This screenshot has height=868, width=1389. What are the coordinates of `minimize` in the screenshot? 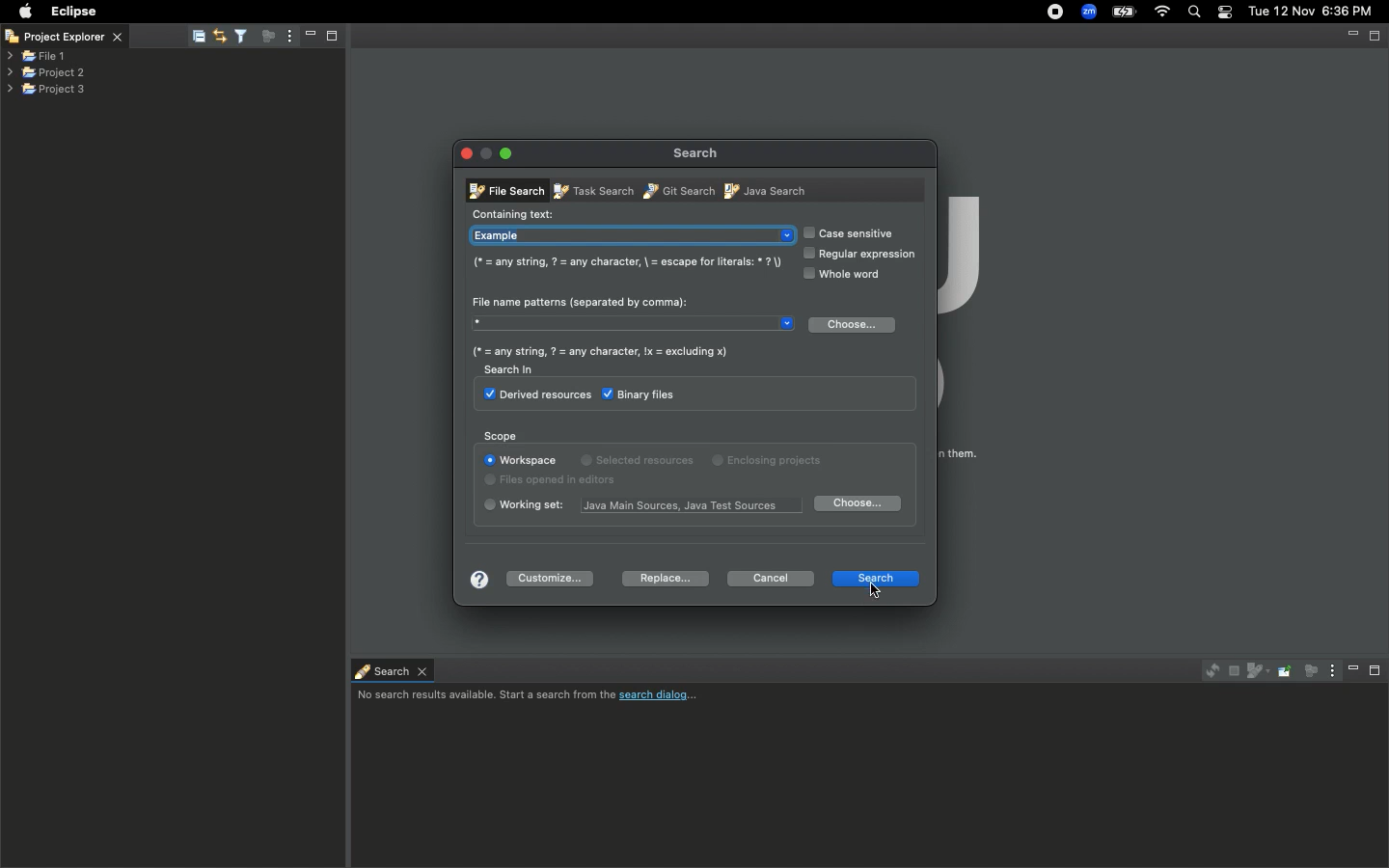 It's located at (309, 35).